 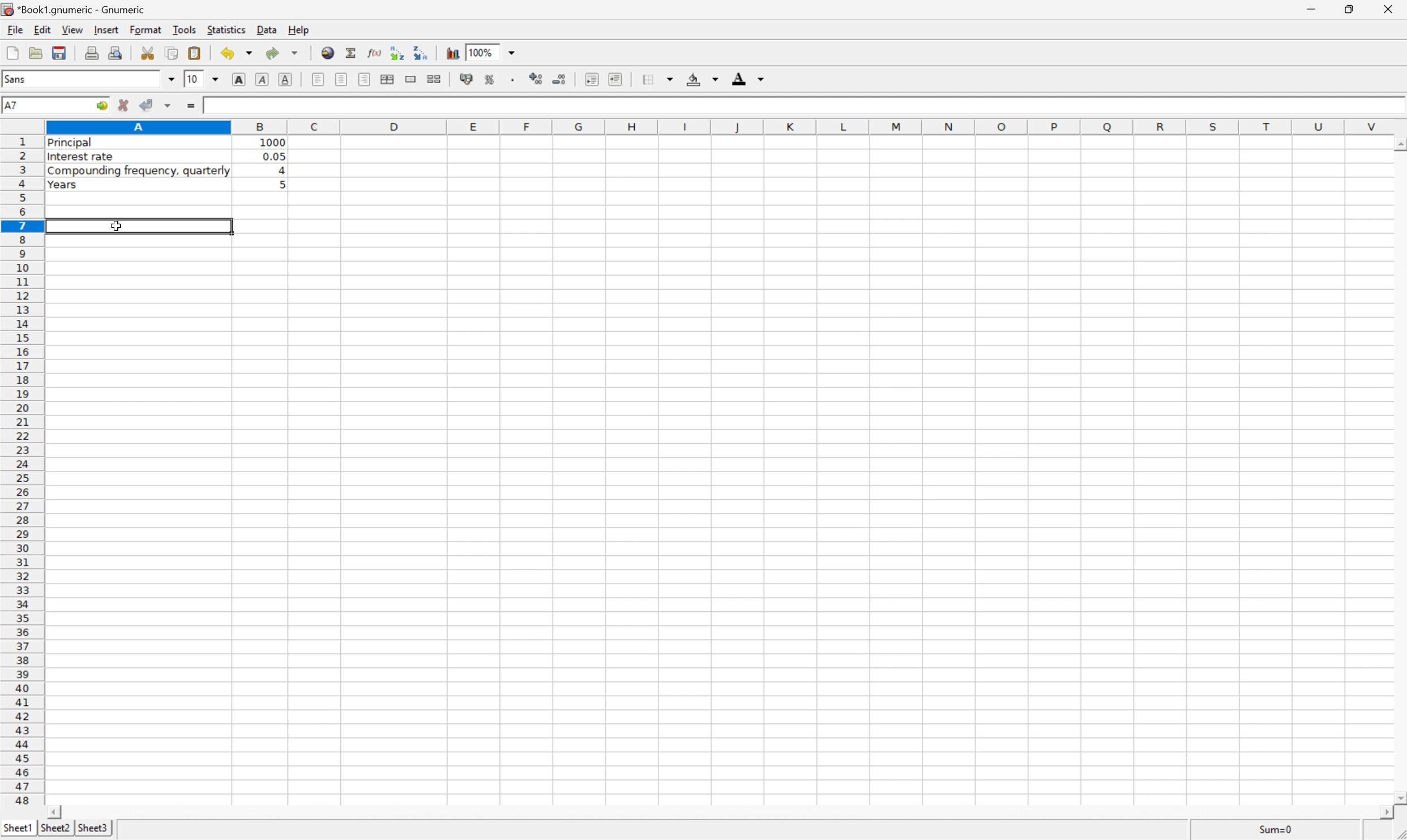 I want to click on years, so click(x=62, y=186).